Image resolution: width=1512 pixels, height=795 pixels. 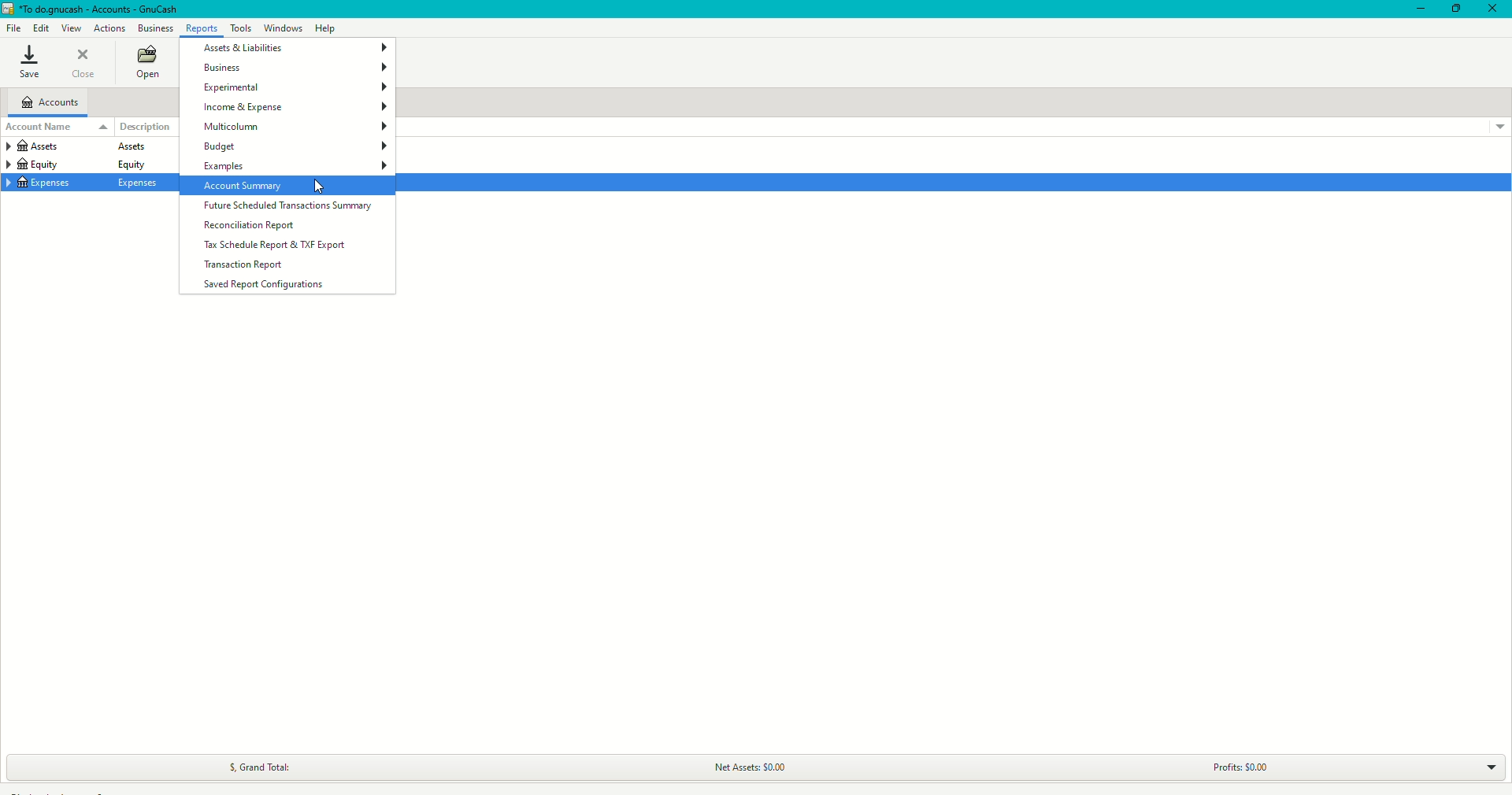 I want to click on Business, so click(x=296, y=68).